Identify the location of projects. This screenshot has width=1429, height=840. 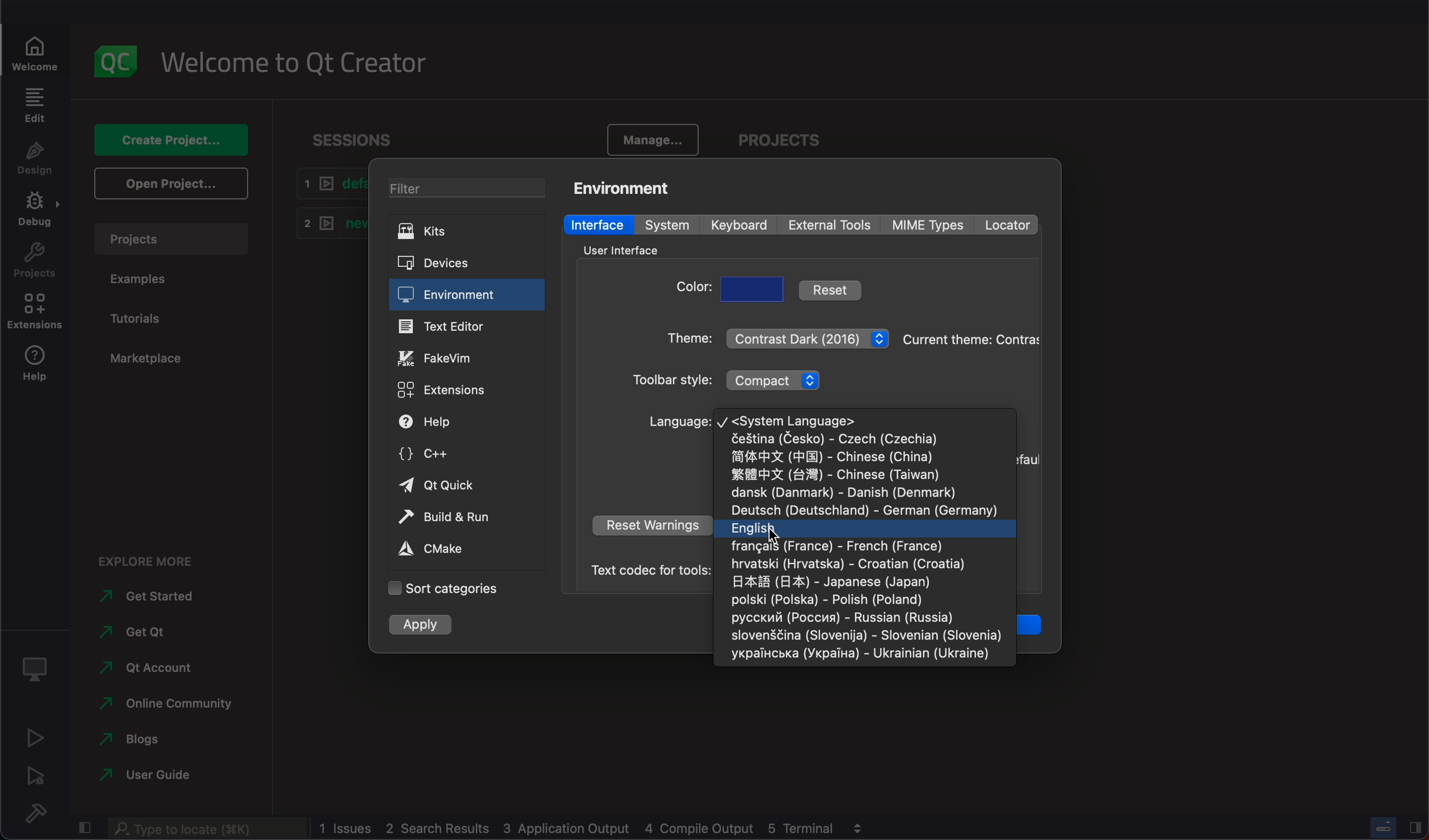
(169, 239).